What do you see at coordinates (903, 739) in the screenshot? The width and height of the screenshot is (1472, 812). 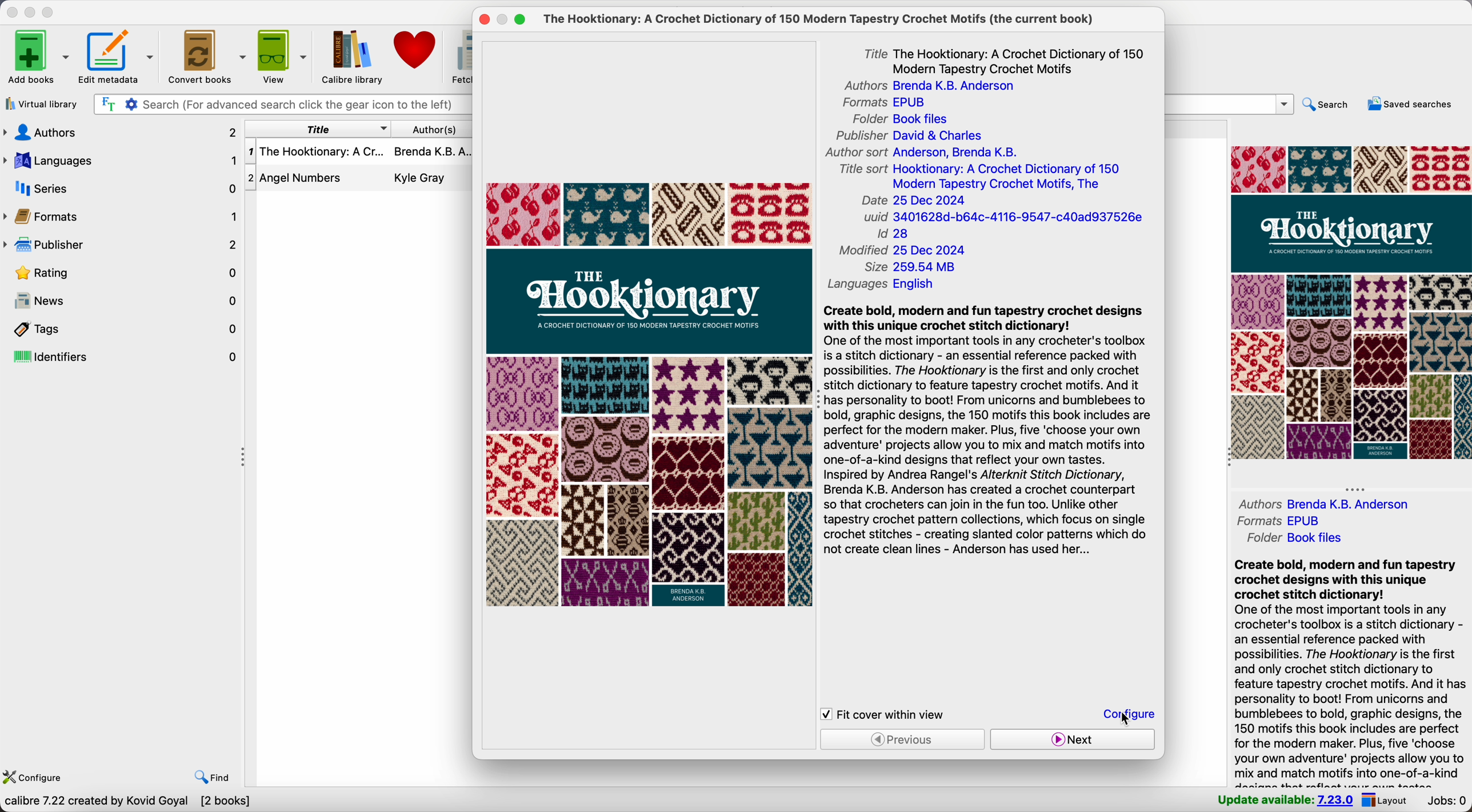 I see `previous` at bounding box center [903, 739].